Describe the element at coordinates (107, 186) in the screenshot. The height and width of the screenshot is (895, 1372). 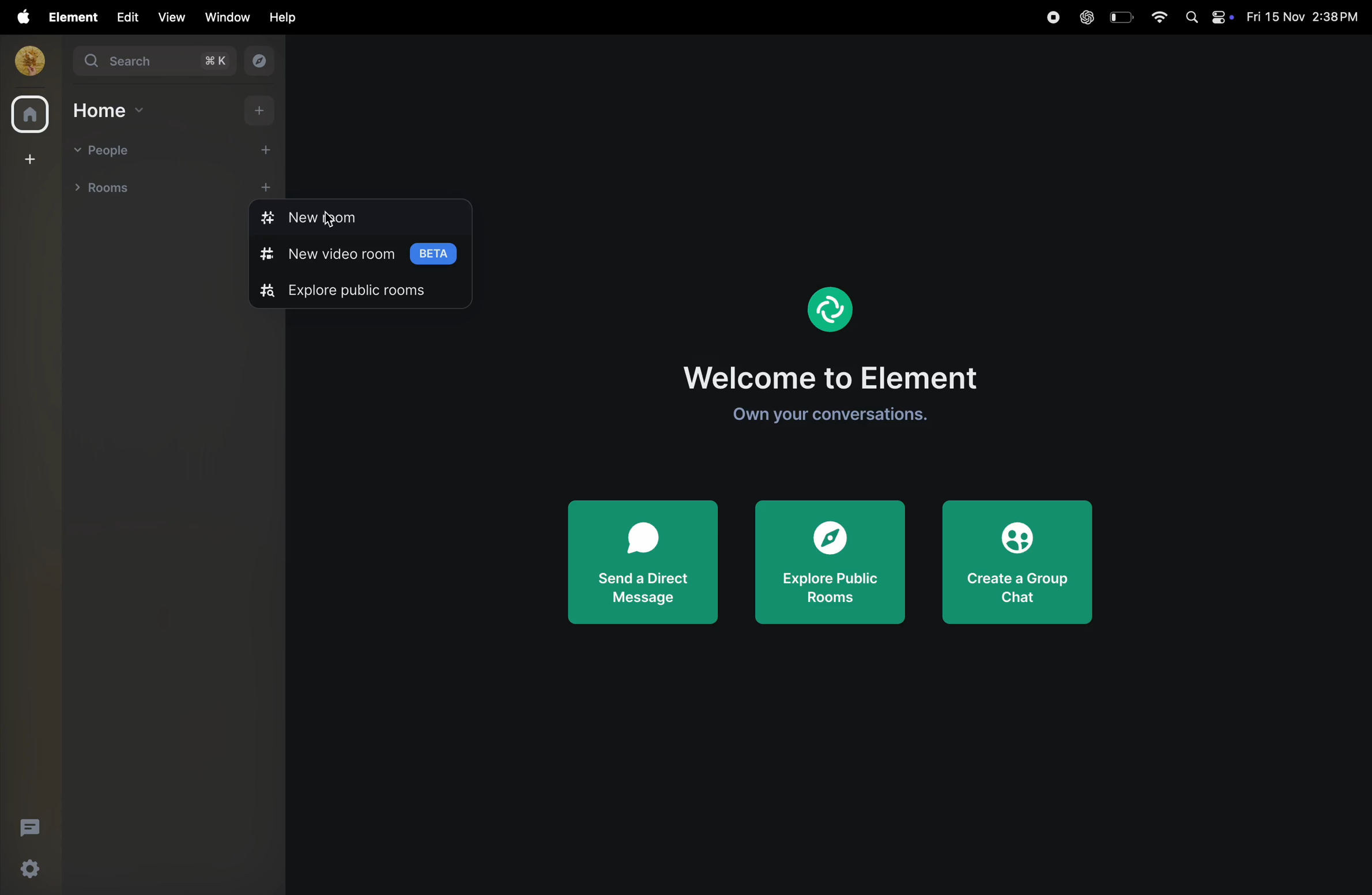
I see `rooms` at that location.